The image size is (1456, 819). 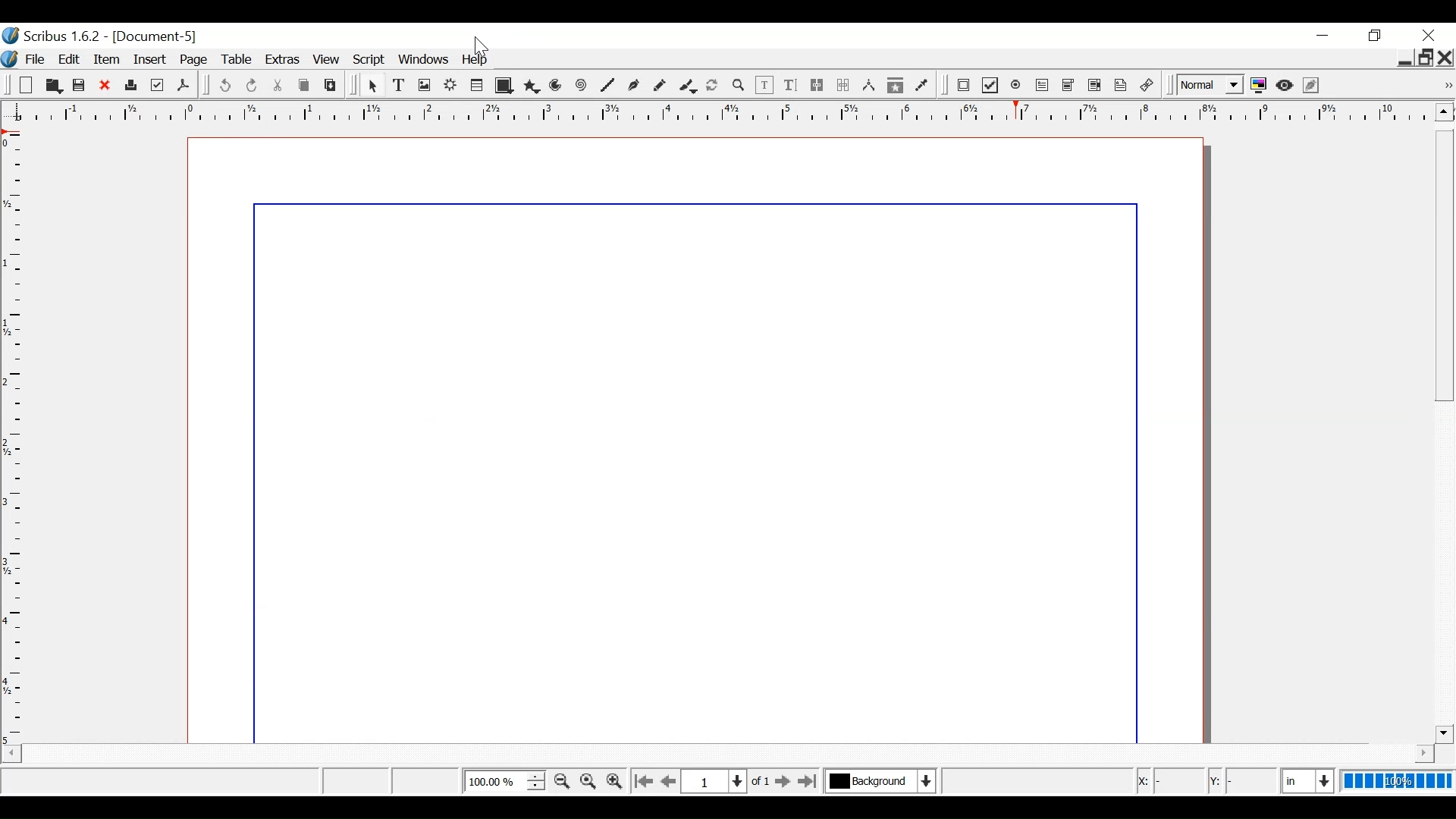 I want to click on Edit, so click(x=71, y=59).